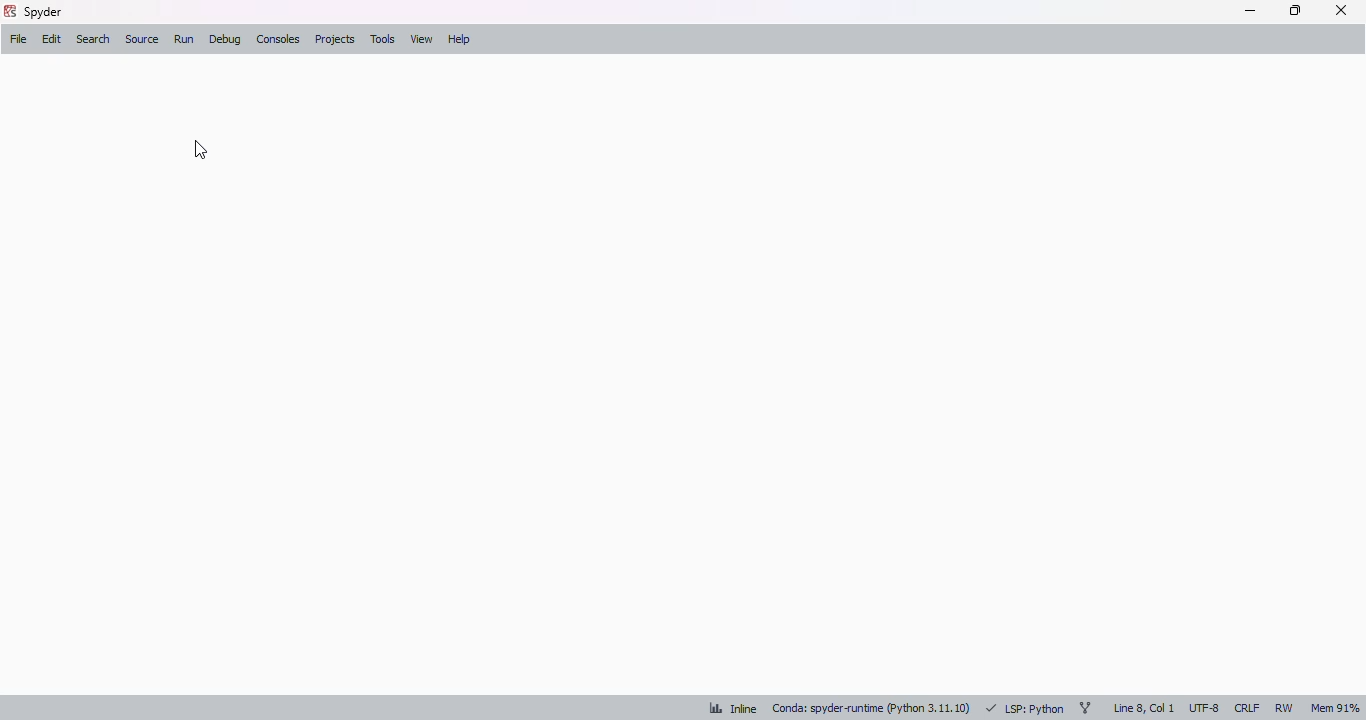 Image resolution: width=1366 pixels, height=720 pixels. I want to click on view, so click(421, 39).